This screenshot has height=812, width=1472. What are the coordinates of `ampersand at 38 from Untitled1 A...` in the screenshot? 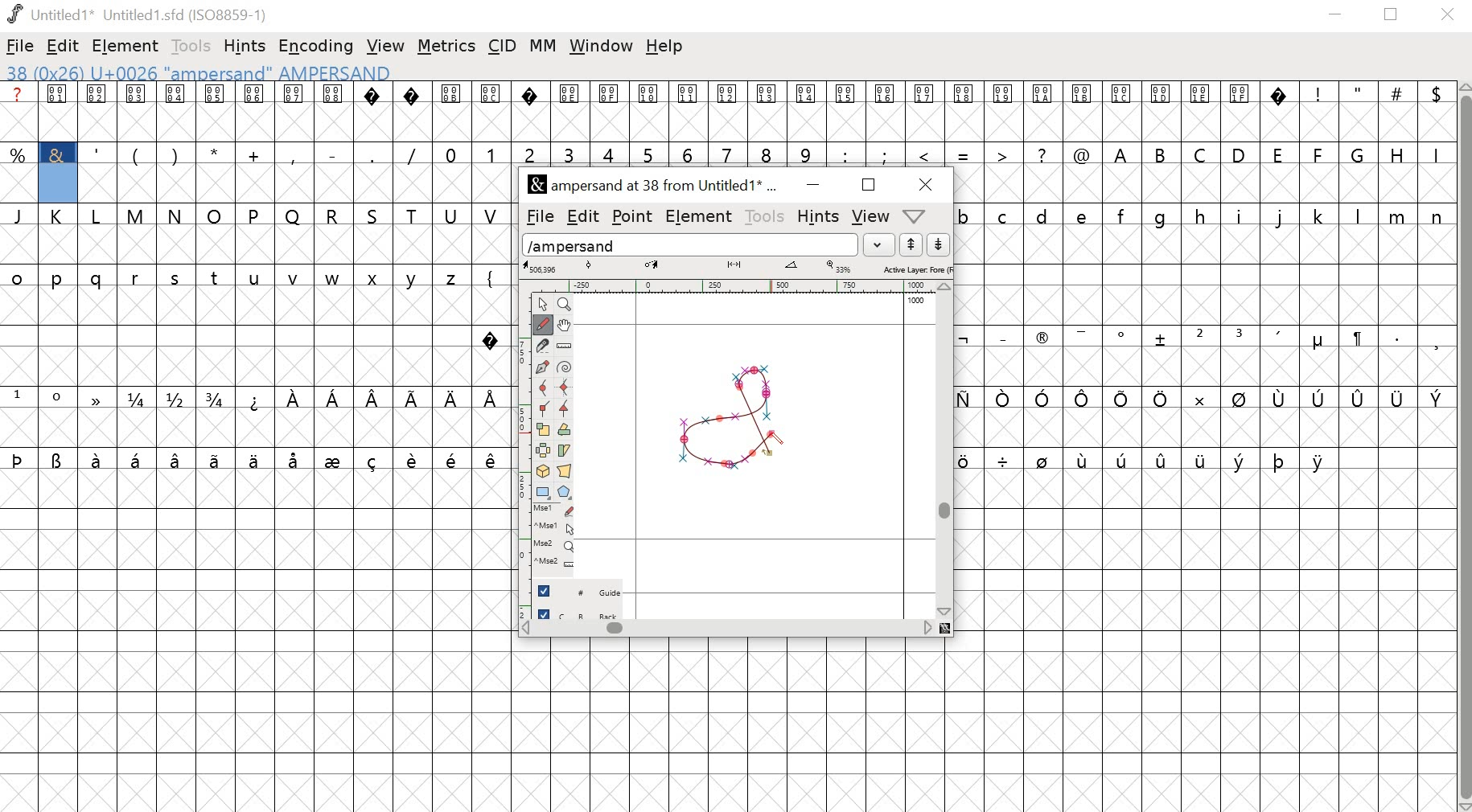 It's located at (657, 186).